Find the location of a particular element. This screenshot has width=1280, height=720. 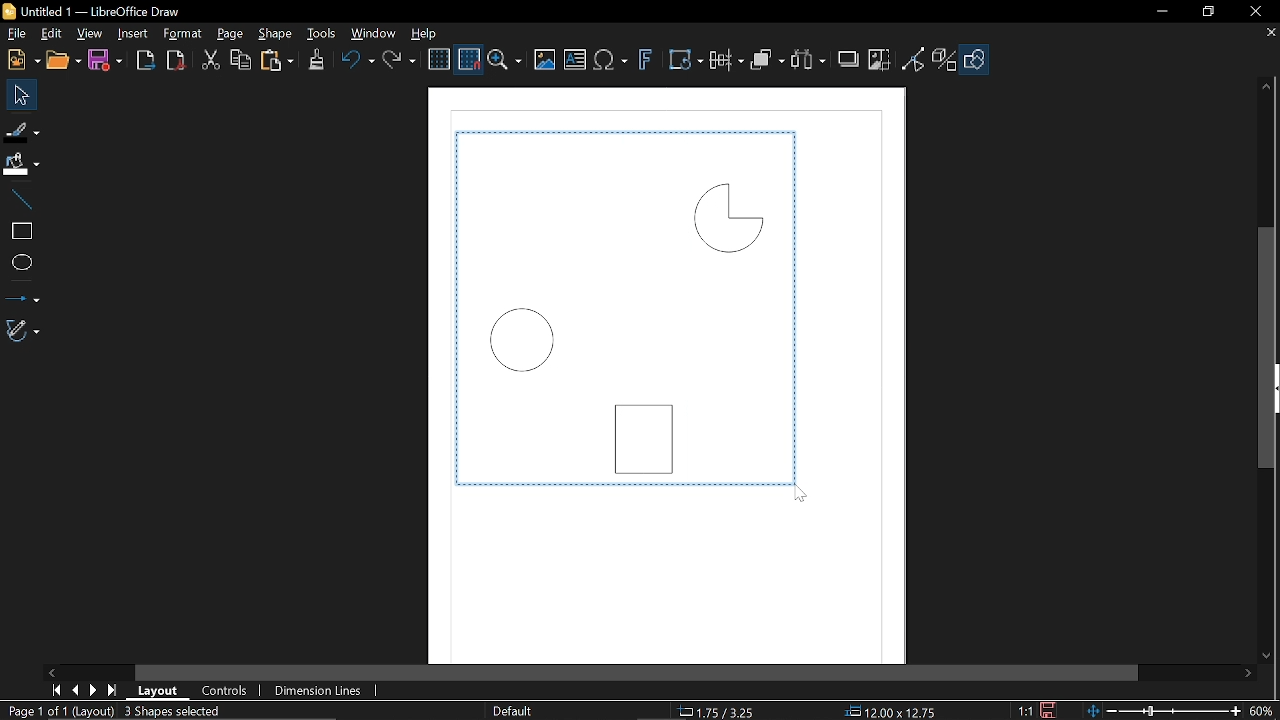

Close window is located at coordinates (1250, 12).